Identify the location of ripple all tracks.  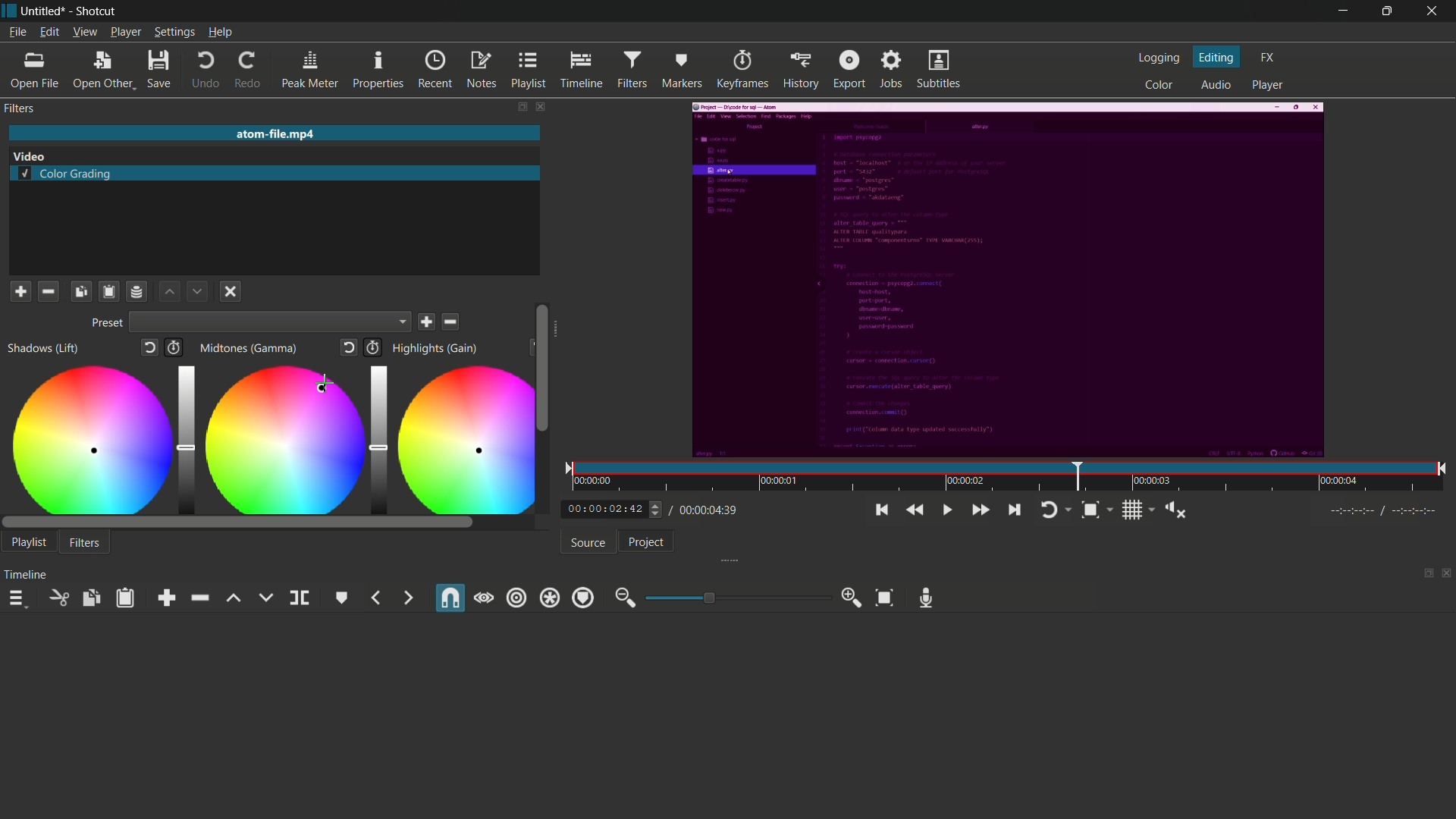
(549, 599).